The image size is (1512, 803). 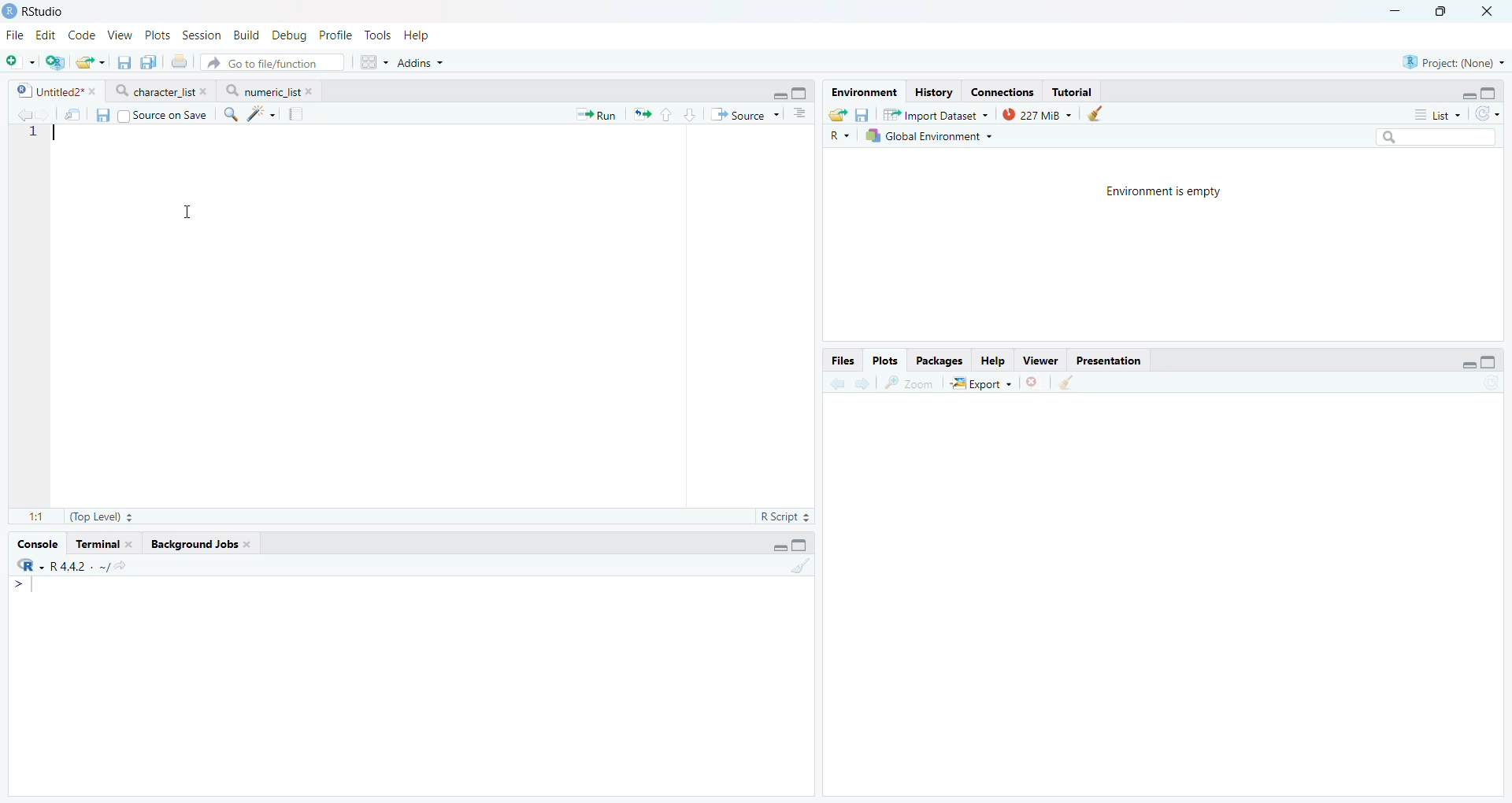 I want to click on Export history log, so click(x=839, y=115).